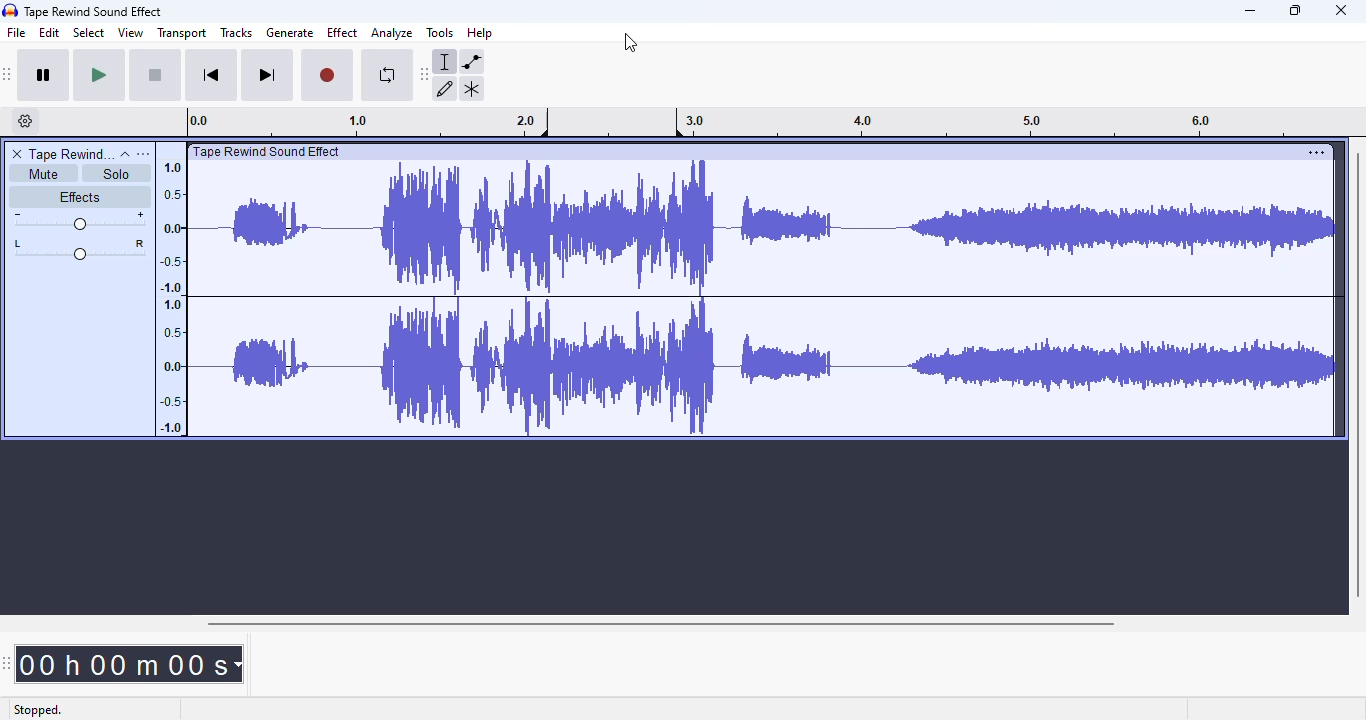 This screenshot has width=1366, height=720. I want to click on mute, so click(39, 173).